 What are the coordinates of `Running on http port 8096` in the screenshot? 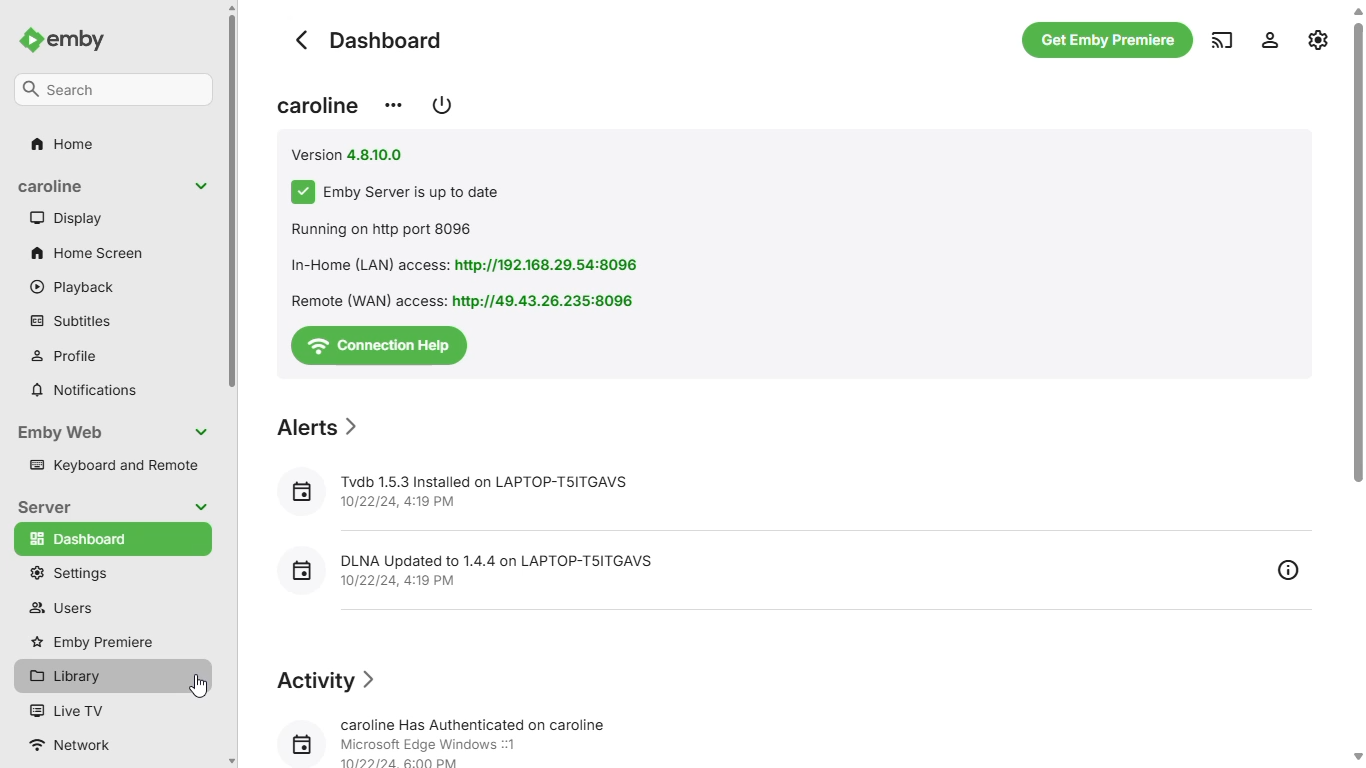 It's located at (386, 230).